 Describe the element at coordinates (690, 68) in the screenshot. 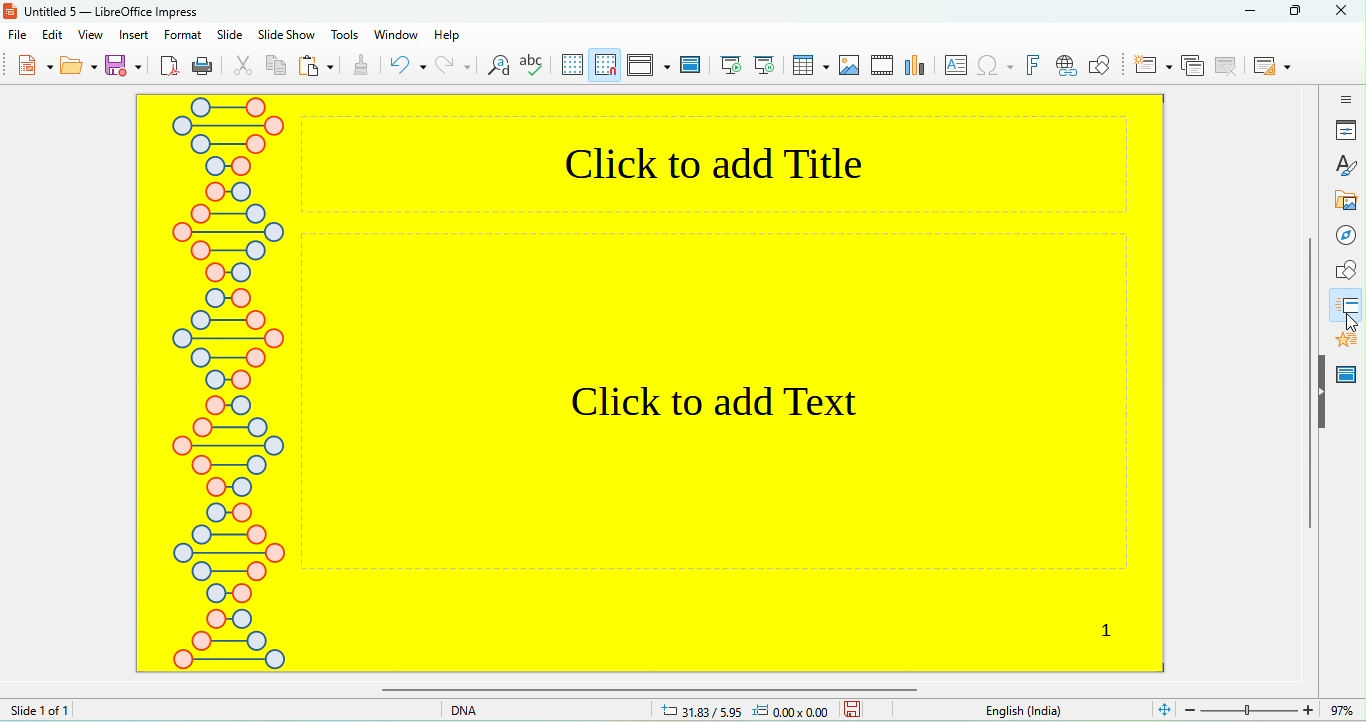

I see `master slid` at that location.